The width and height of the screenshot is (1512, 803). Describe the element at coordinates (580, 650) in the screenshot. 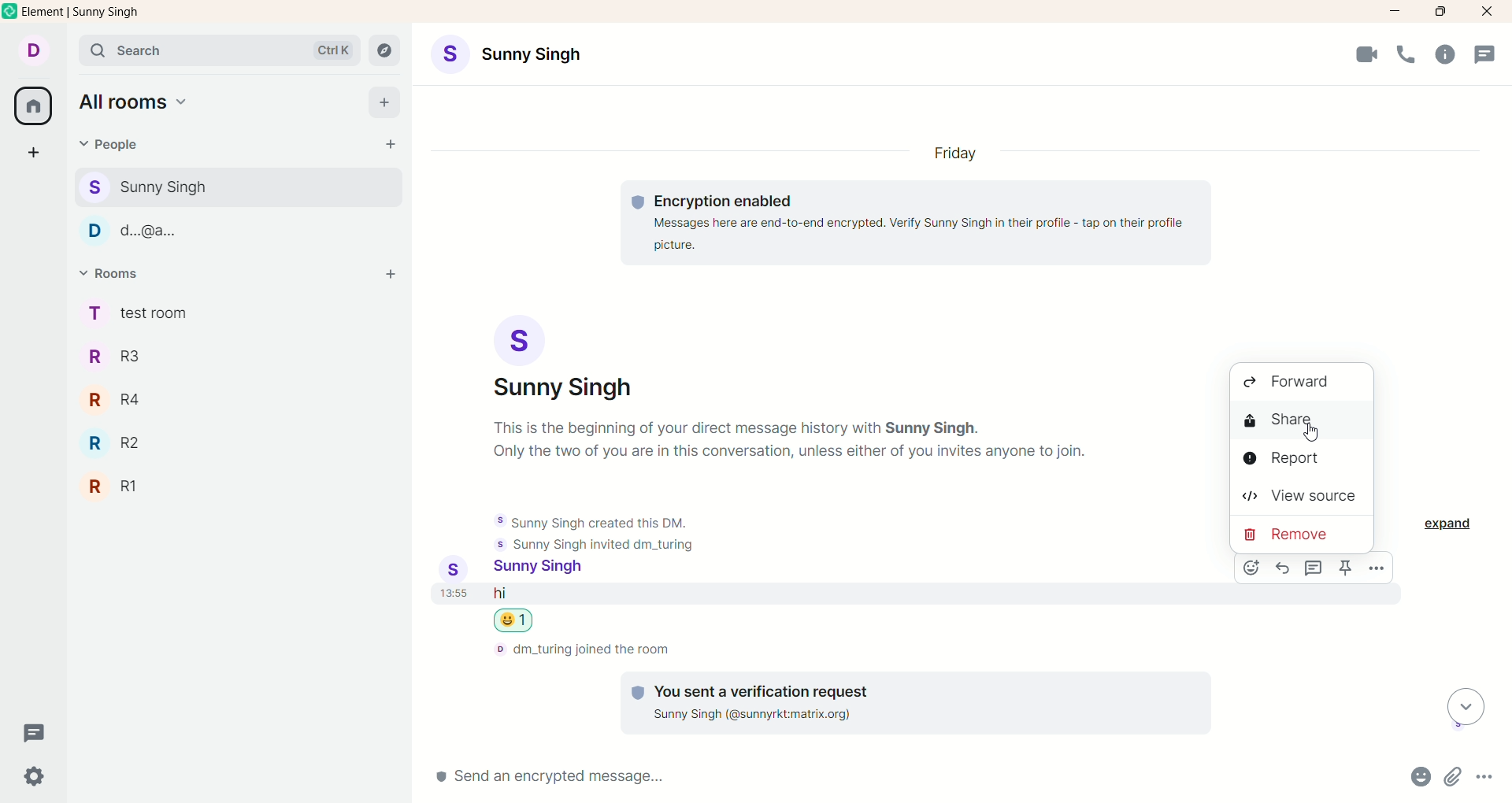

I see `text` at that location.